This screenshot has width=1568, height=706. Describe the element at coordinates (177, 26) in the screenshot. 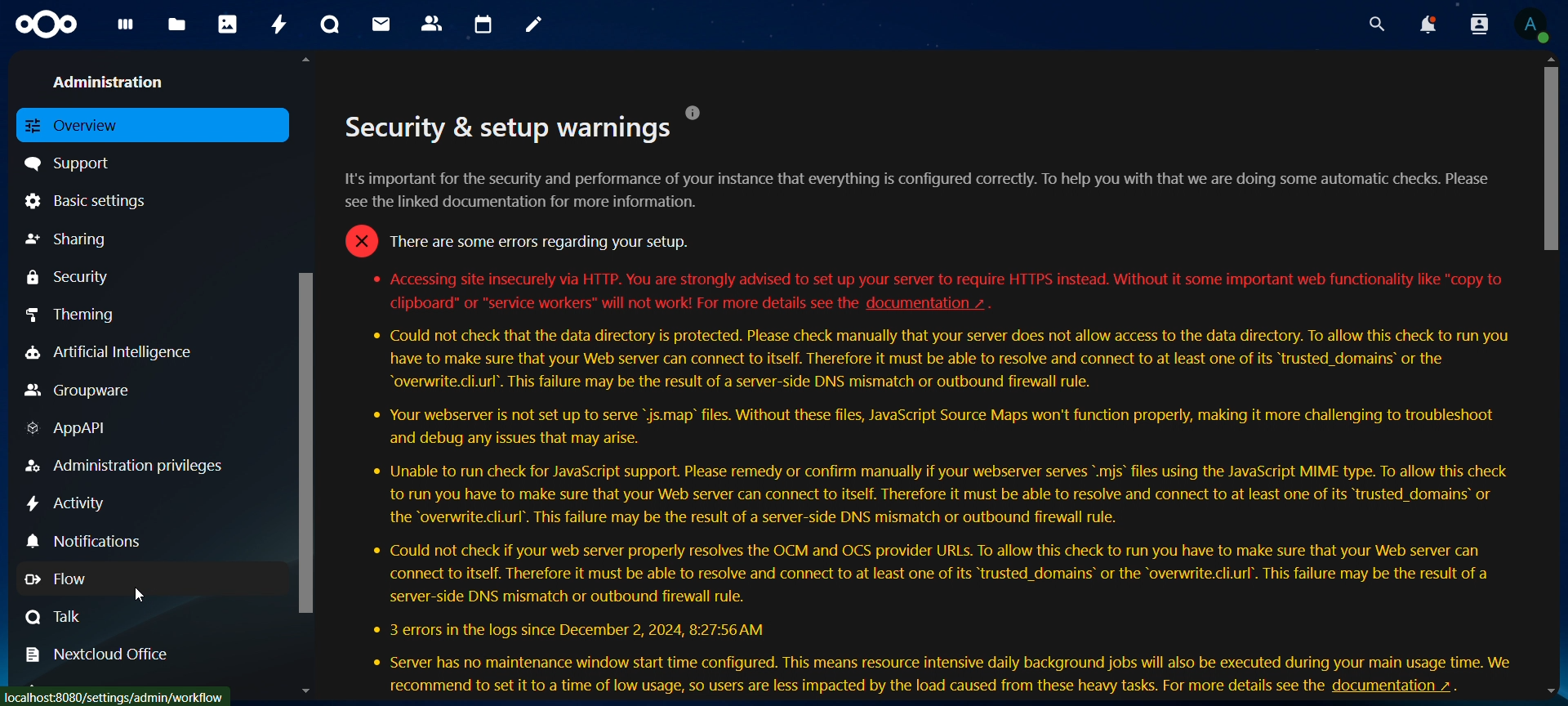

I see `files` at that location.